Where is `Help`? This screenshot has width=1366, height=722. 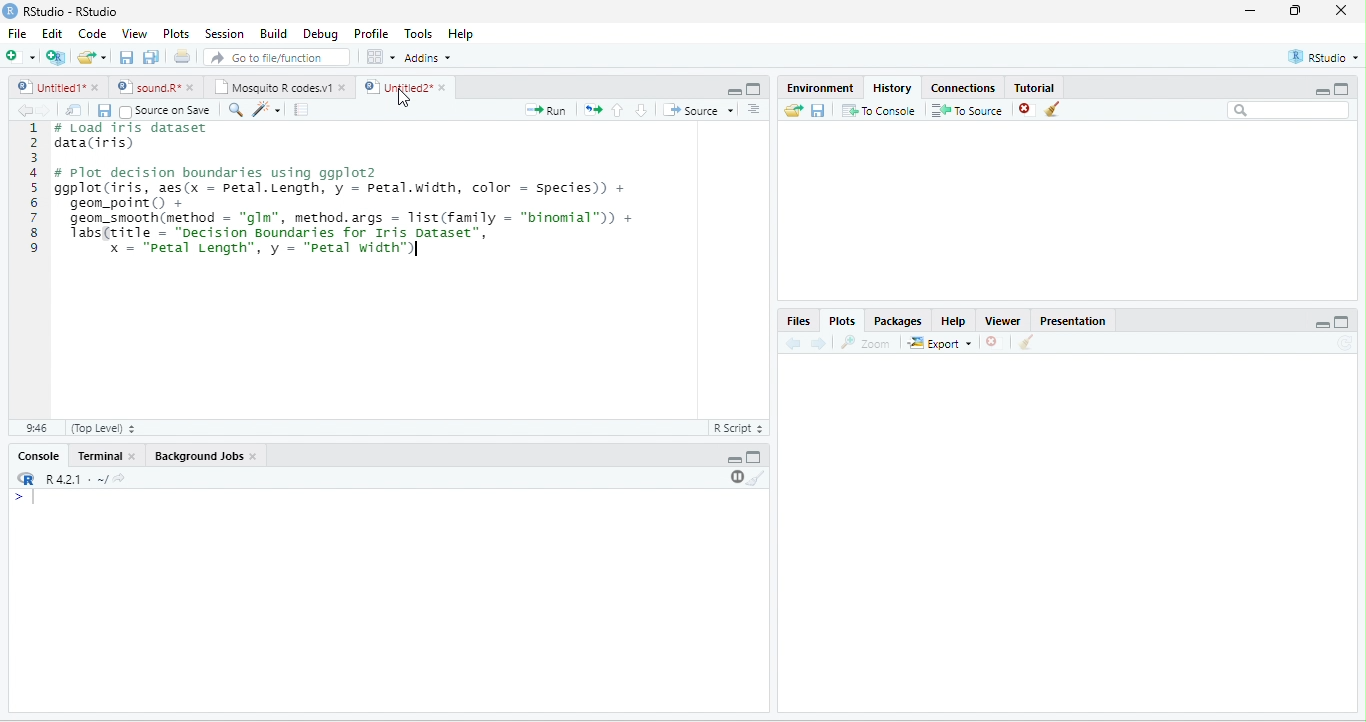 Help is located at coordinates (463, 35).